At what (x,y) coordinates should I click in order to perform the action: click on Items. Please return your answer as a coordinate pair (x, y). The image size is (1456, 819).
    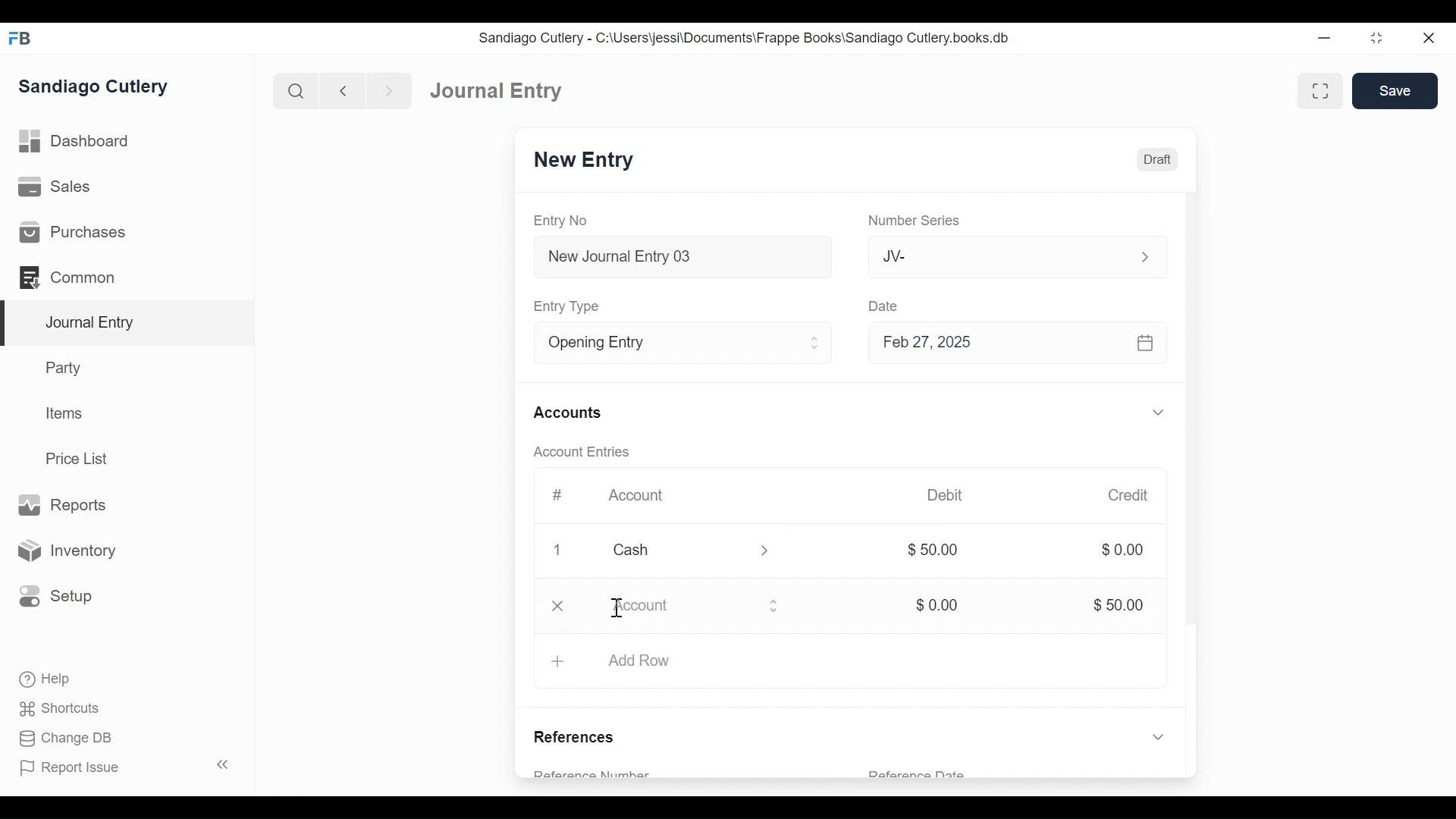
    Looking at the image, I should click on (62, 413).